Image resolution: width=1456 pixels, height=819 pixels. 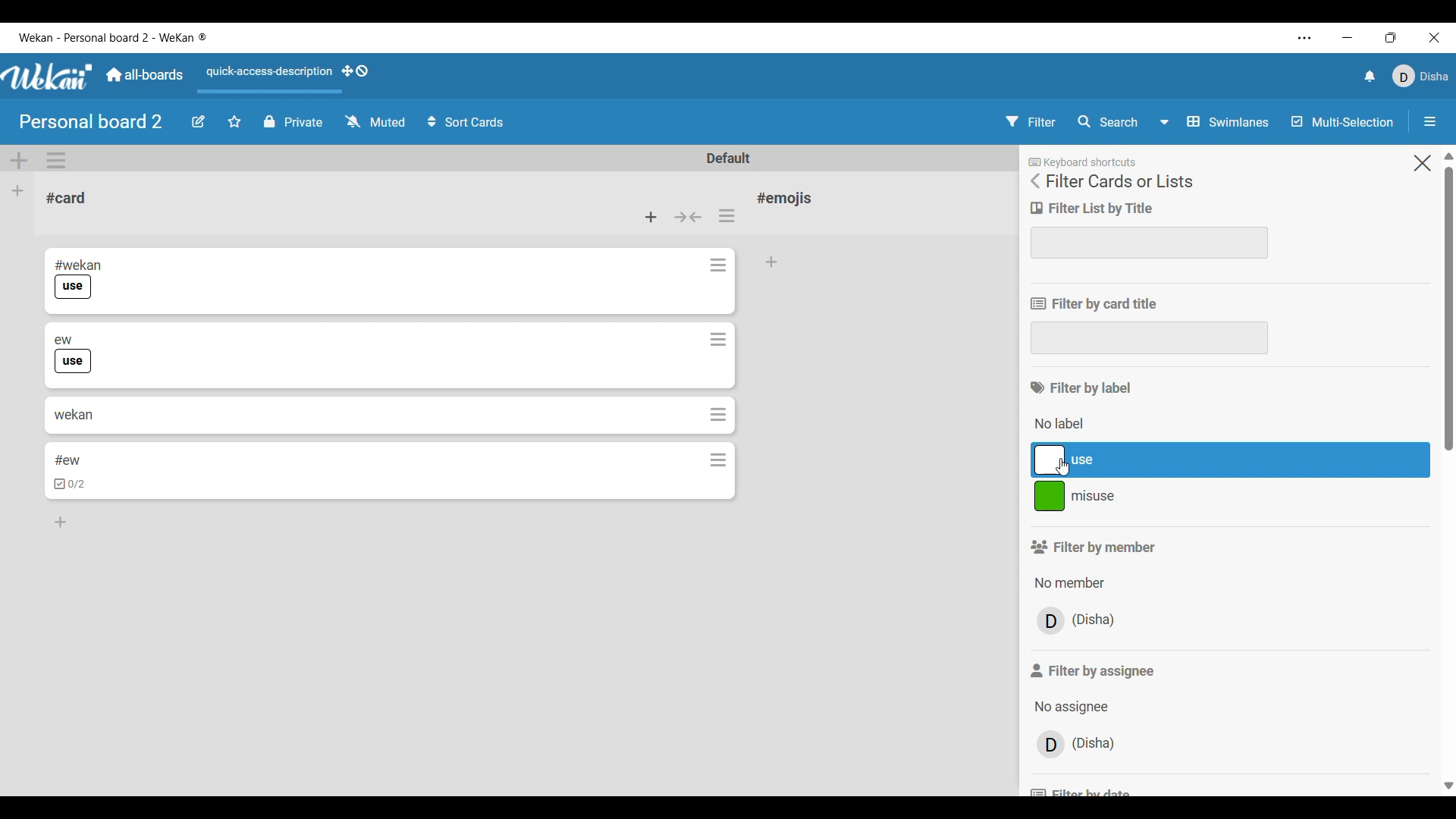 What do you see at coordinates (1048, 460) in the screenshot?
I see `color` at bounding box center [1048, 460].